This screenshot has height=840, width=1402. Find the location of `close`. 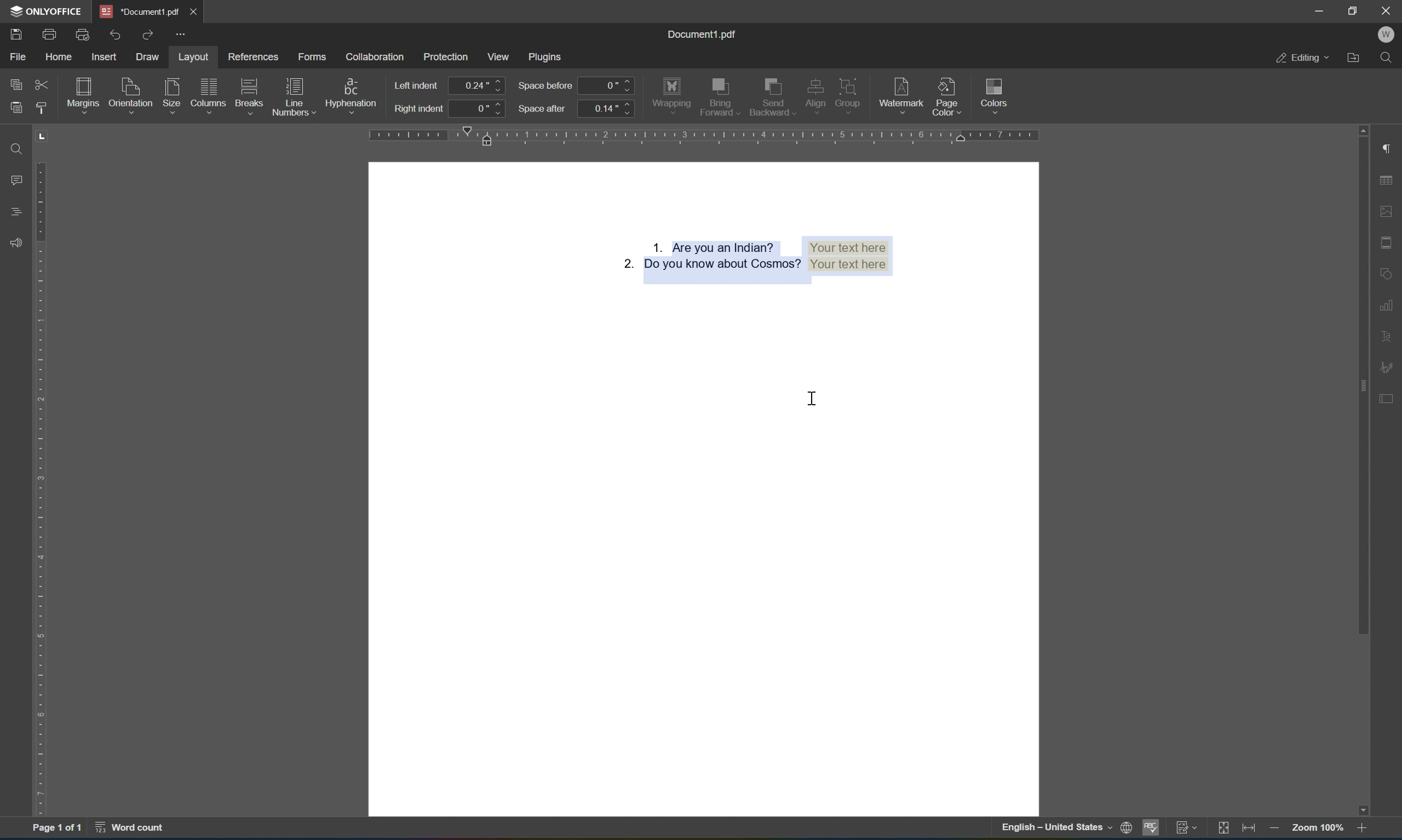

close is located at coordinates (194, 10).